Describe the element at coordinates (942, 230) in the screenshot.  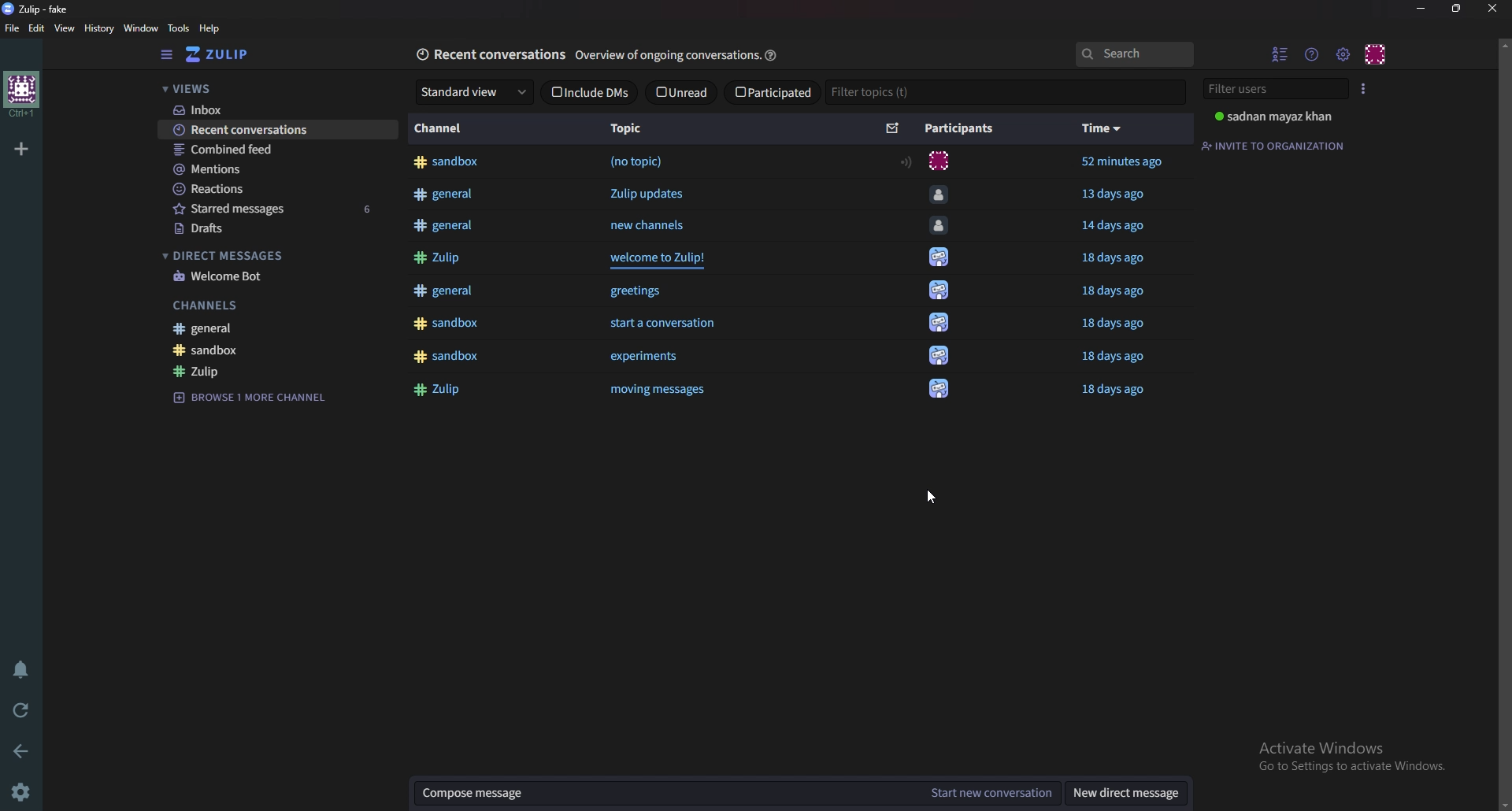
I see `icon` at that location.